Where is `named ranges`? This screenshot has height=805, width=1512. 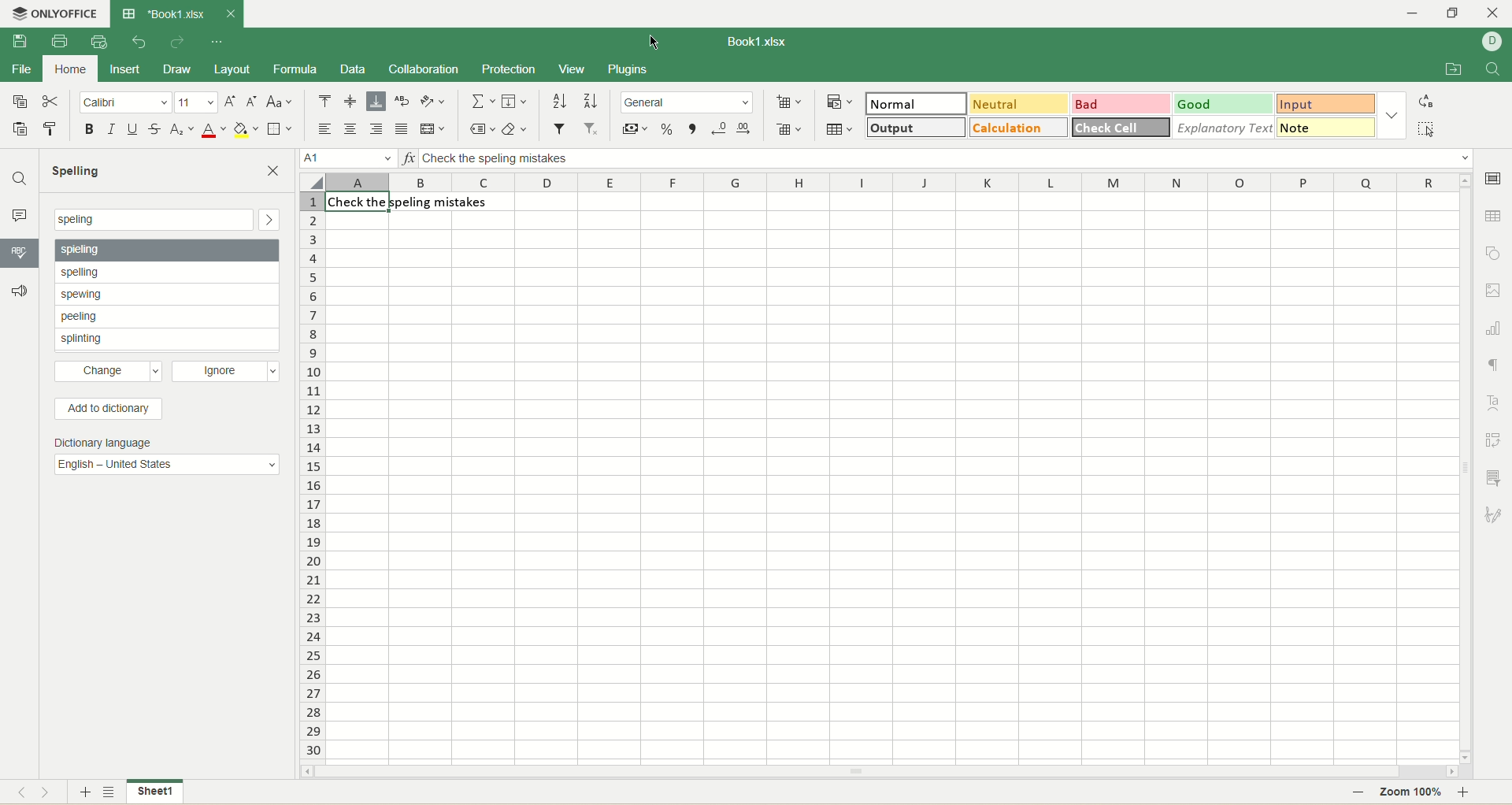
named ranges is located at coordinates (480, 128).